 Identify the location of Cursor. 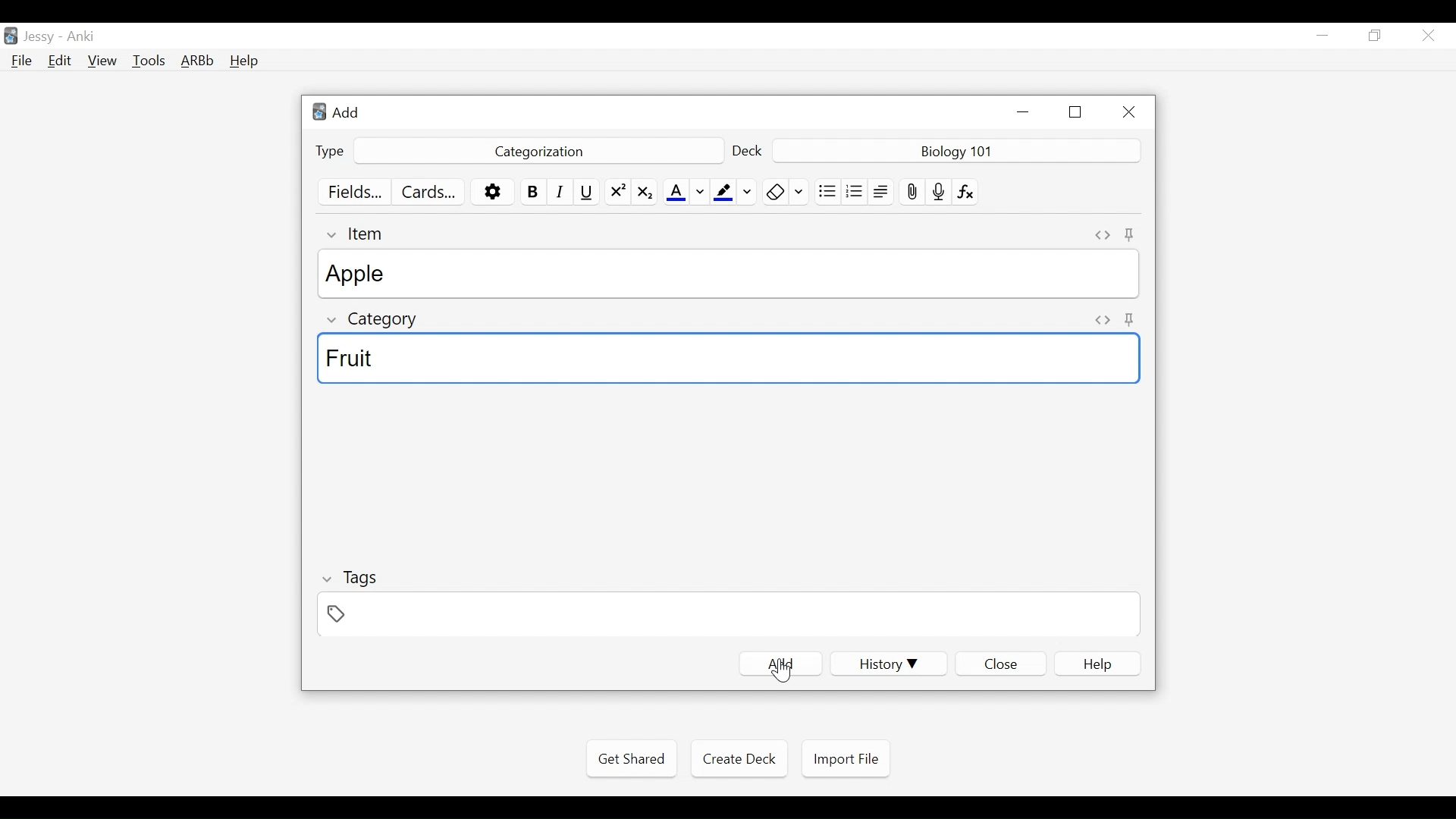
(781, 670).